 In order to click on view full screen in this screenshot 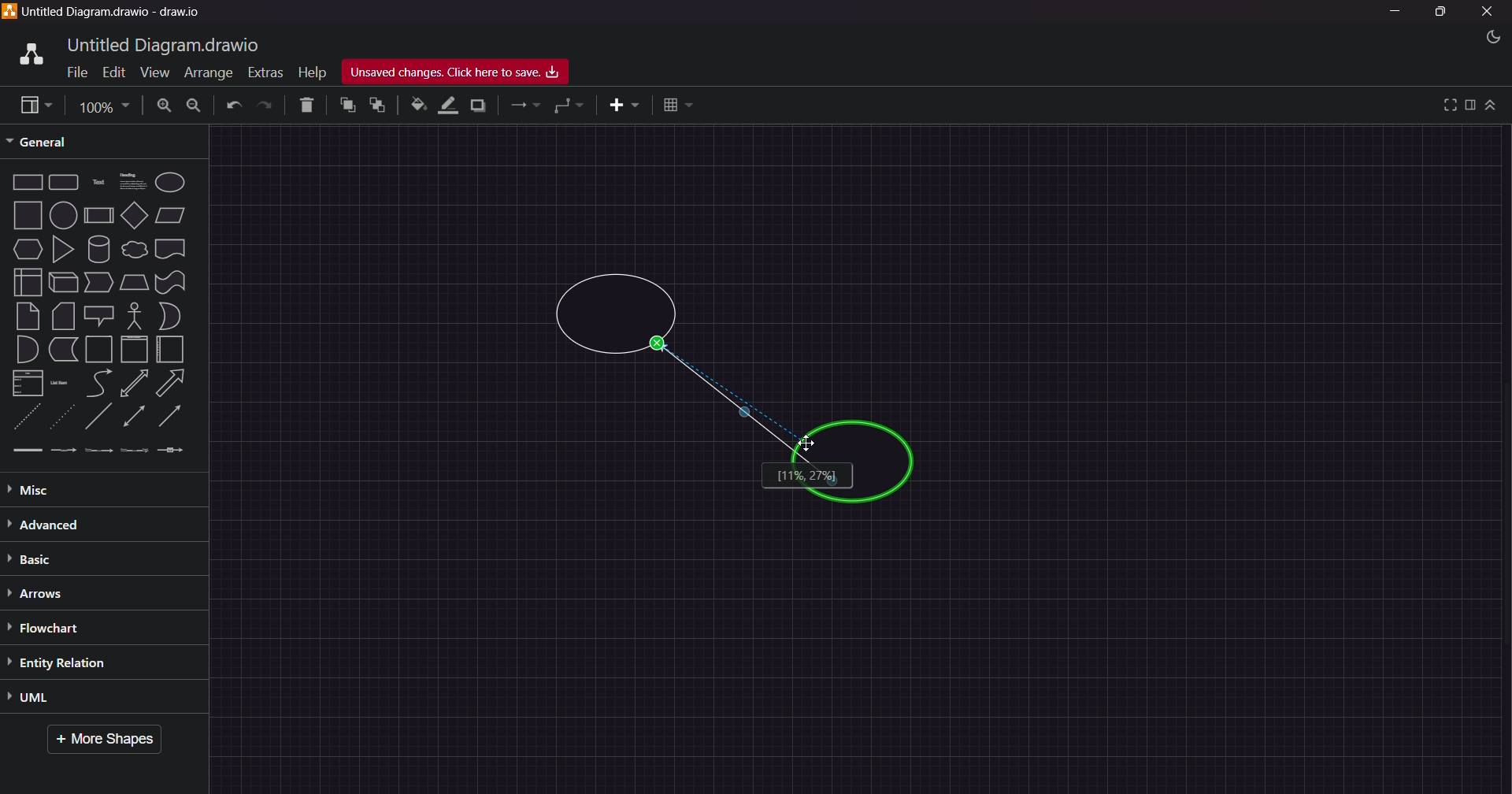, I will do `click(1447, 104)`.